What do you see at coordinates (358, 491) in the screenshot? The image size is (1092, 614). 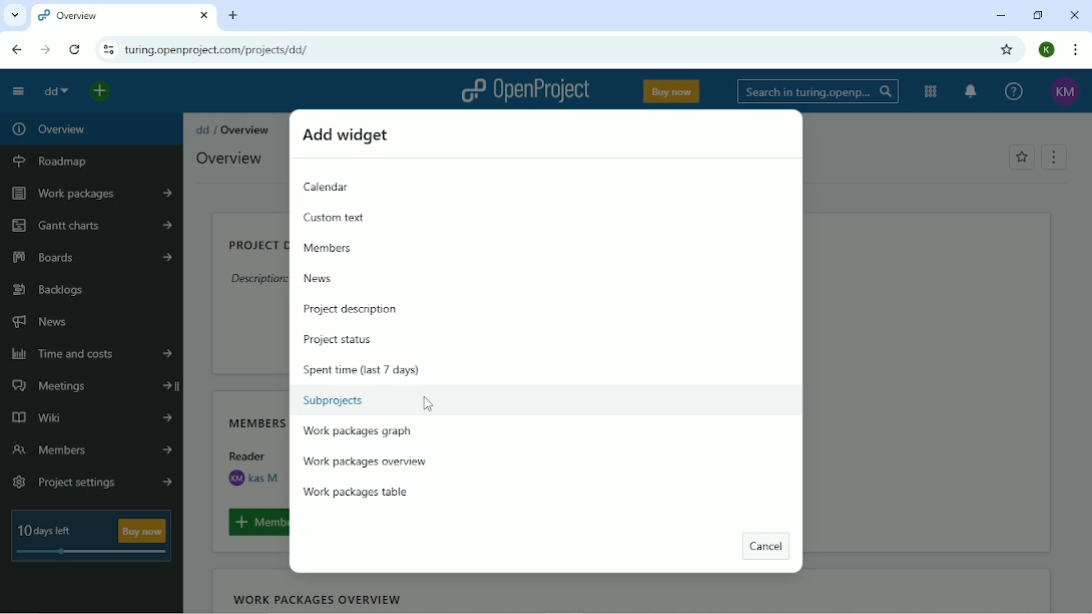 I see `Work packages table` at bounding box center [358, 491].